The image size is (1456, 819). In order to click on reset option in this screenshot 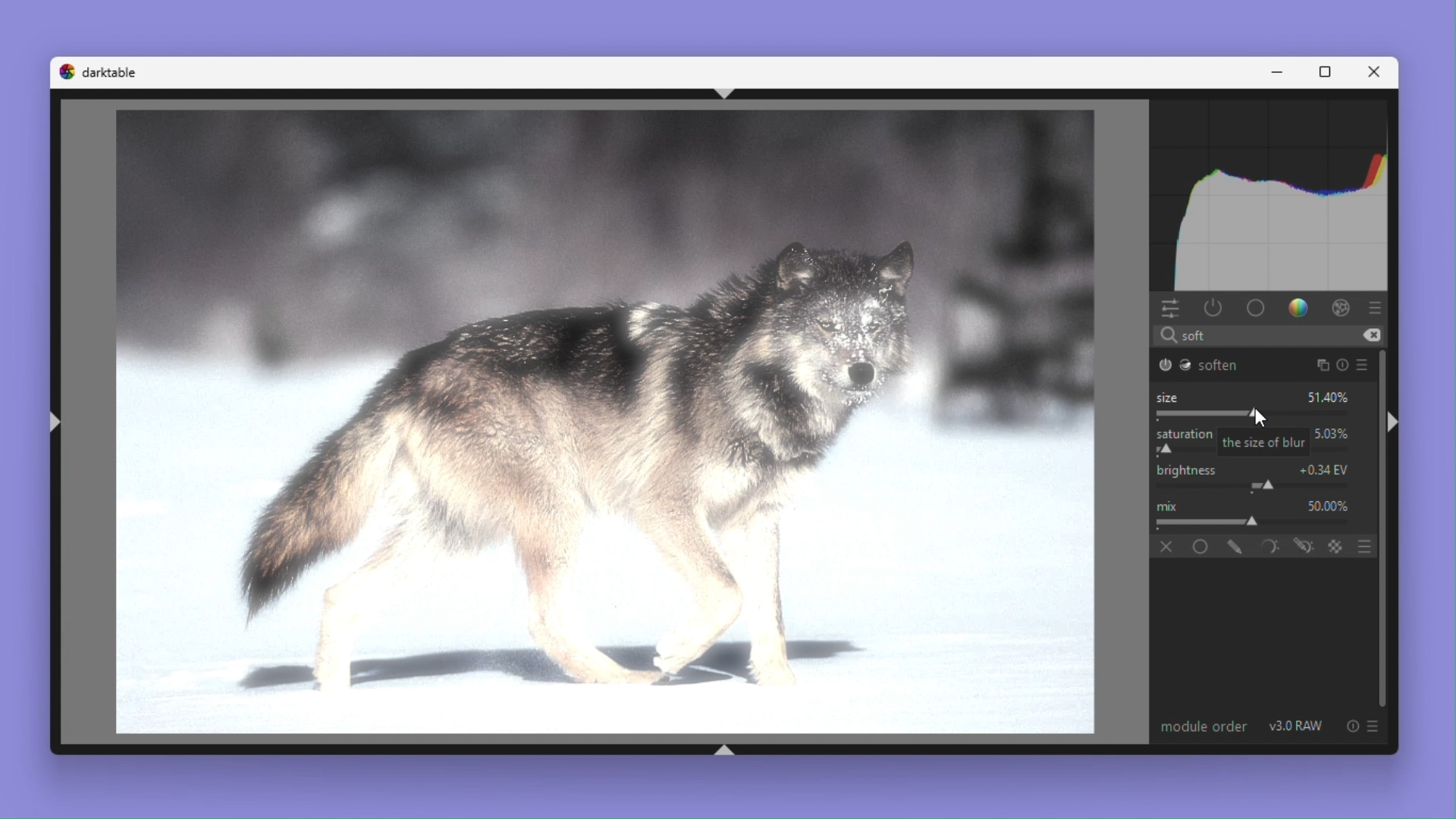, I will do `click(1348, 726)`.